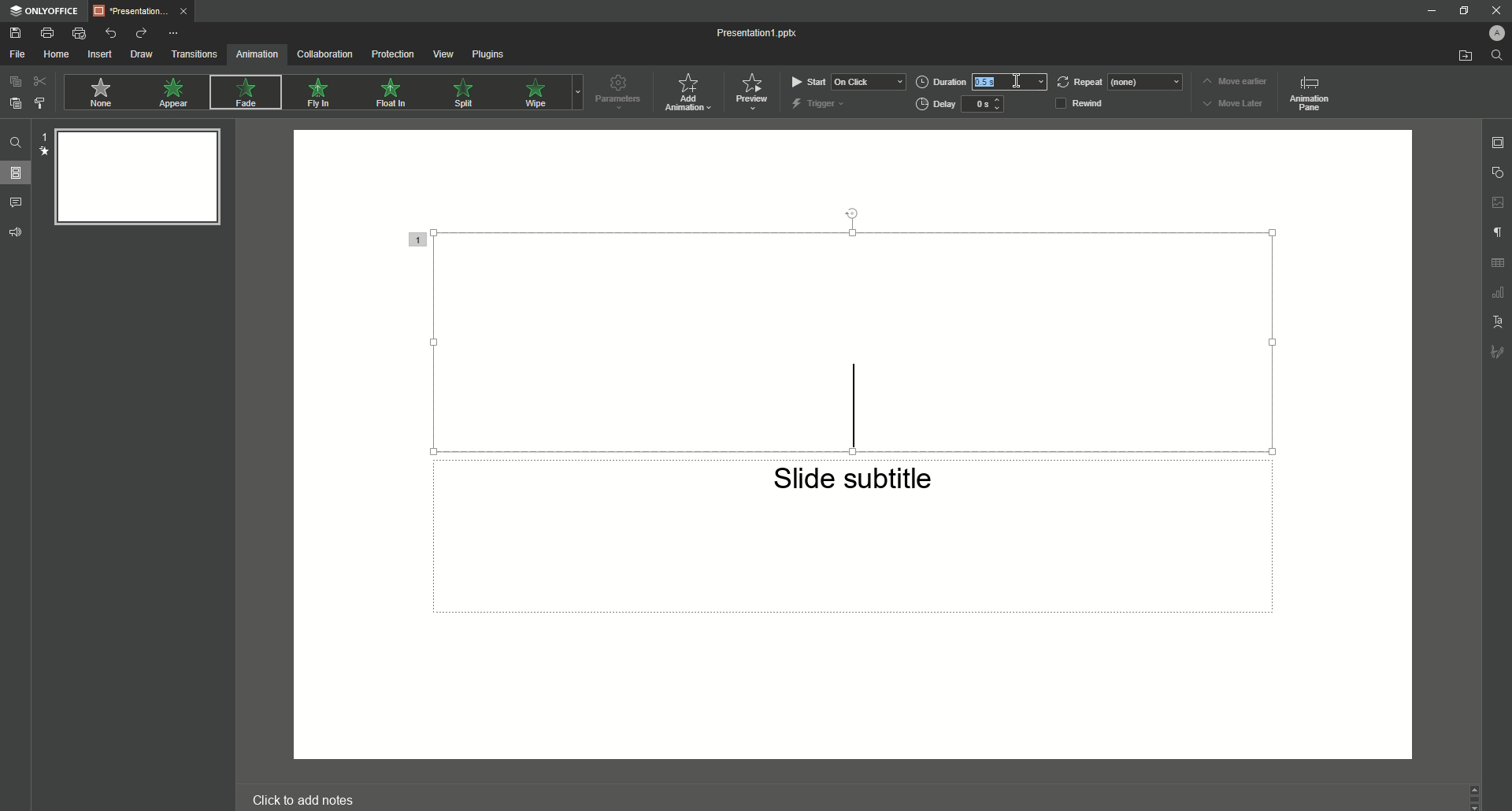 This screenshot has width=1512, height=811. I want to click on Collaboration, so click(326, 54).